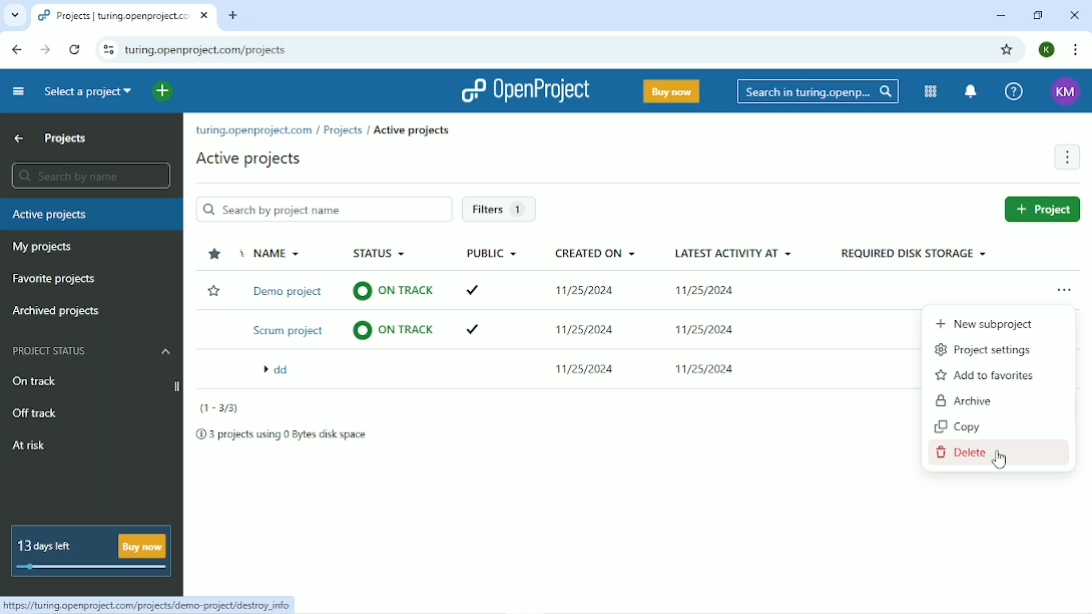  I want to click on Status, so click(380, 253).